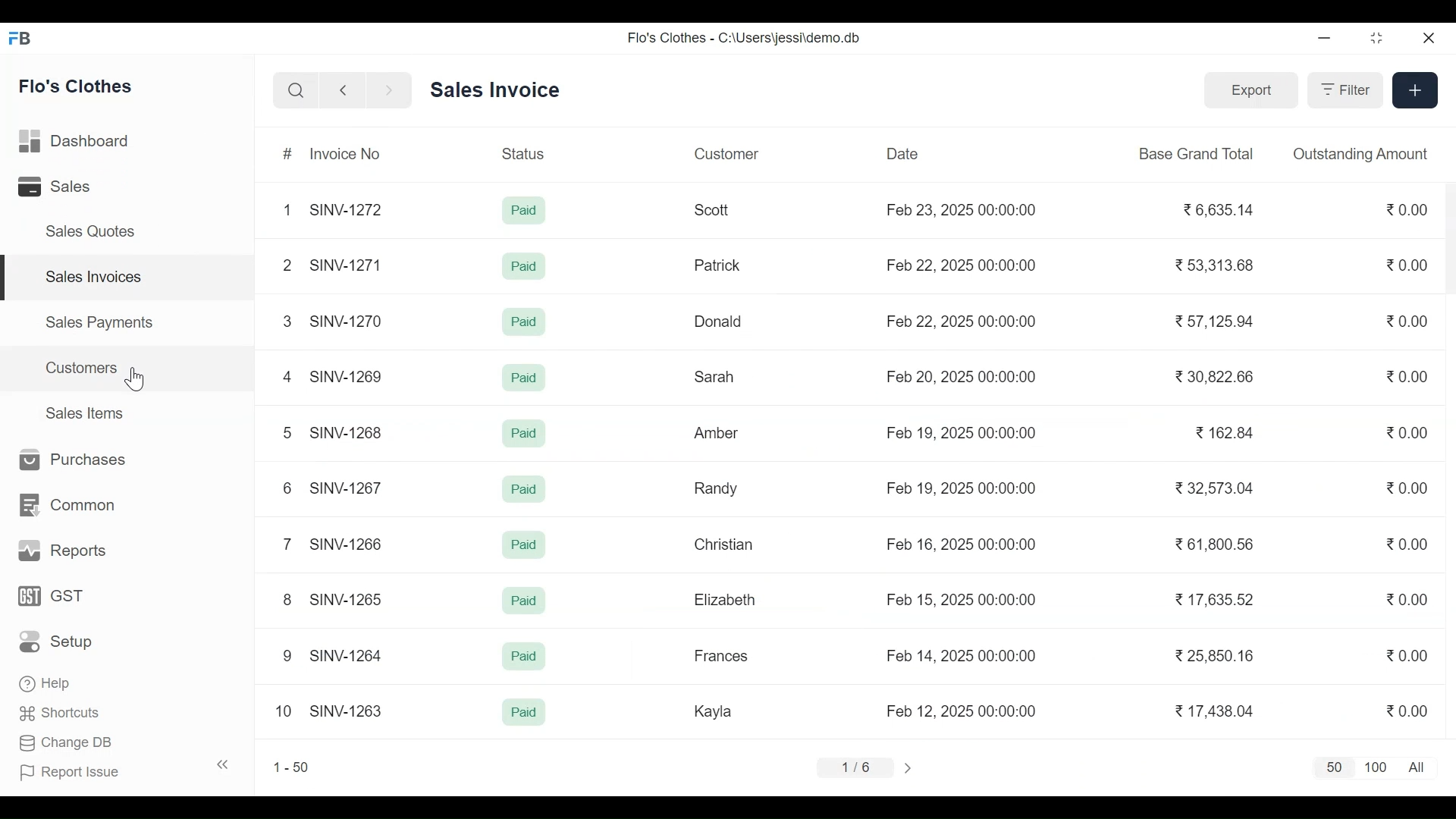 The width and height of the screenshot is (1456, 819). Describe the element at coordinates (349, 598) in the screenshot. I see `SINV-1265` at that location.